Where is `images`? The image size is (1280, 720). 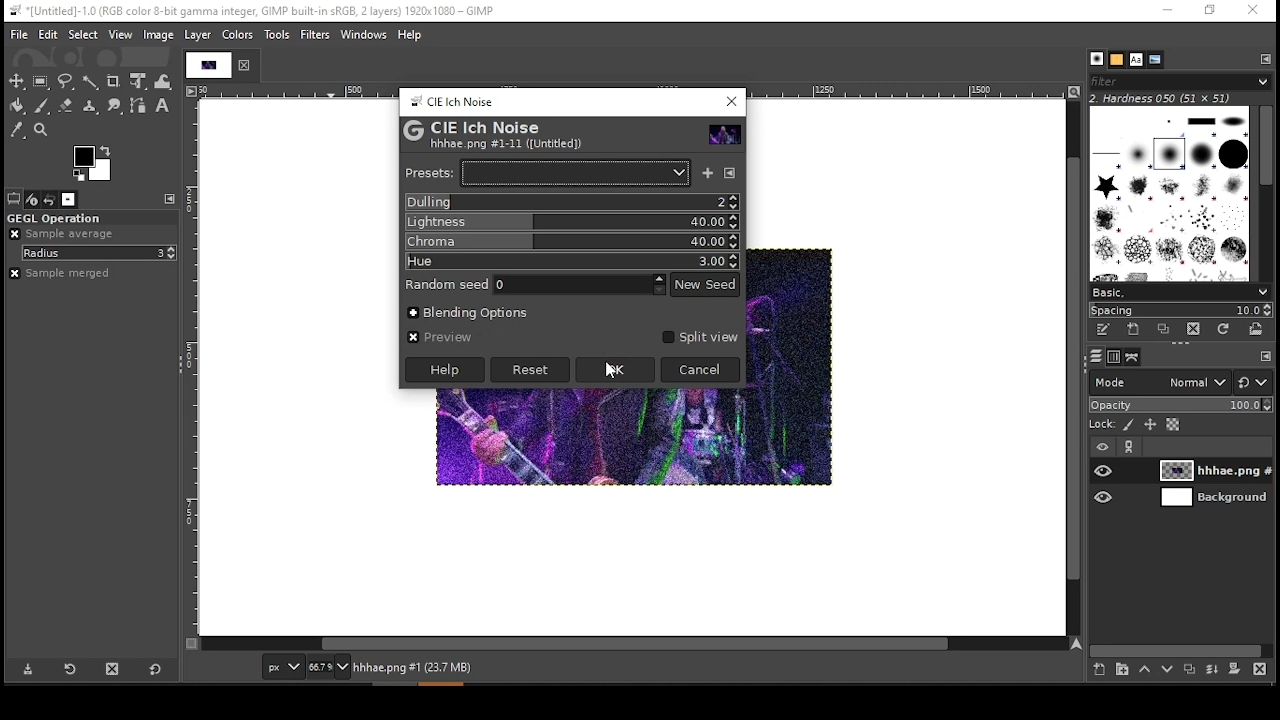 images is located at coordinates (69, 199).